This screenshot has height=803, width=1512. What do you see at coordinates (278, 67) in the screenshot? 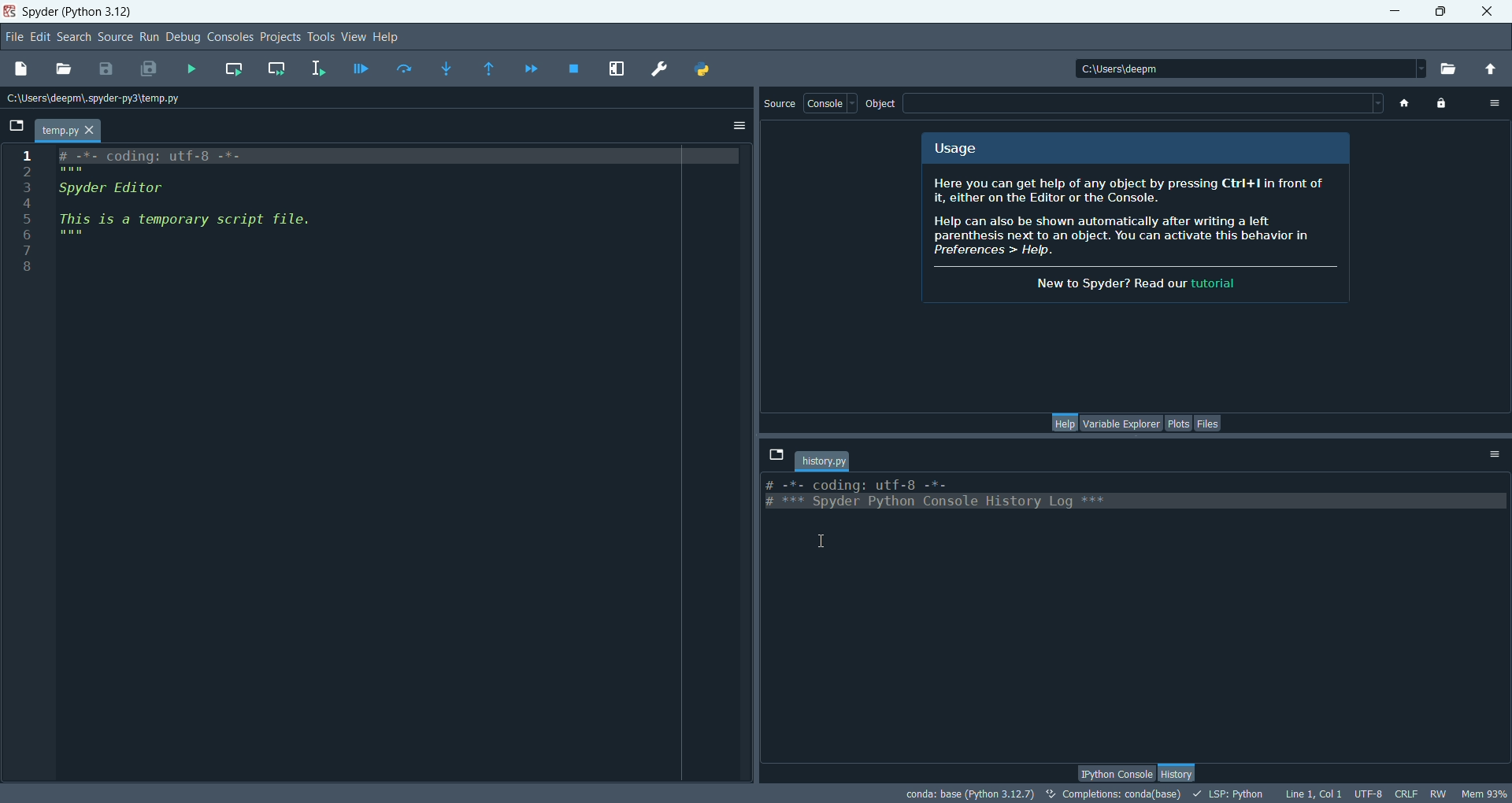
I see `run current cell and go to next one` at bounding box center [278, 67].